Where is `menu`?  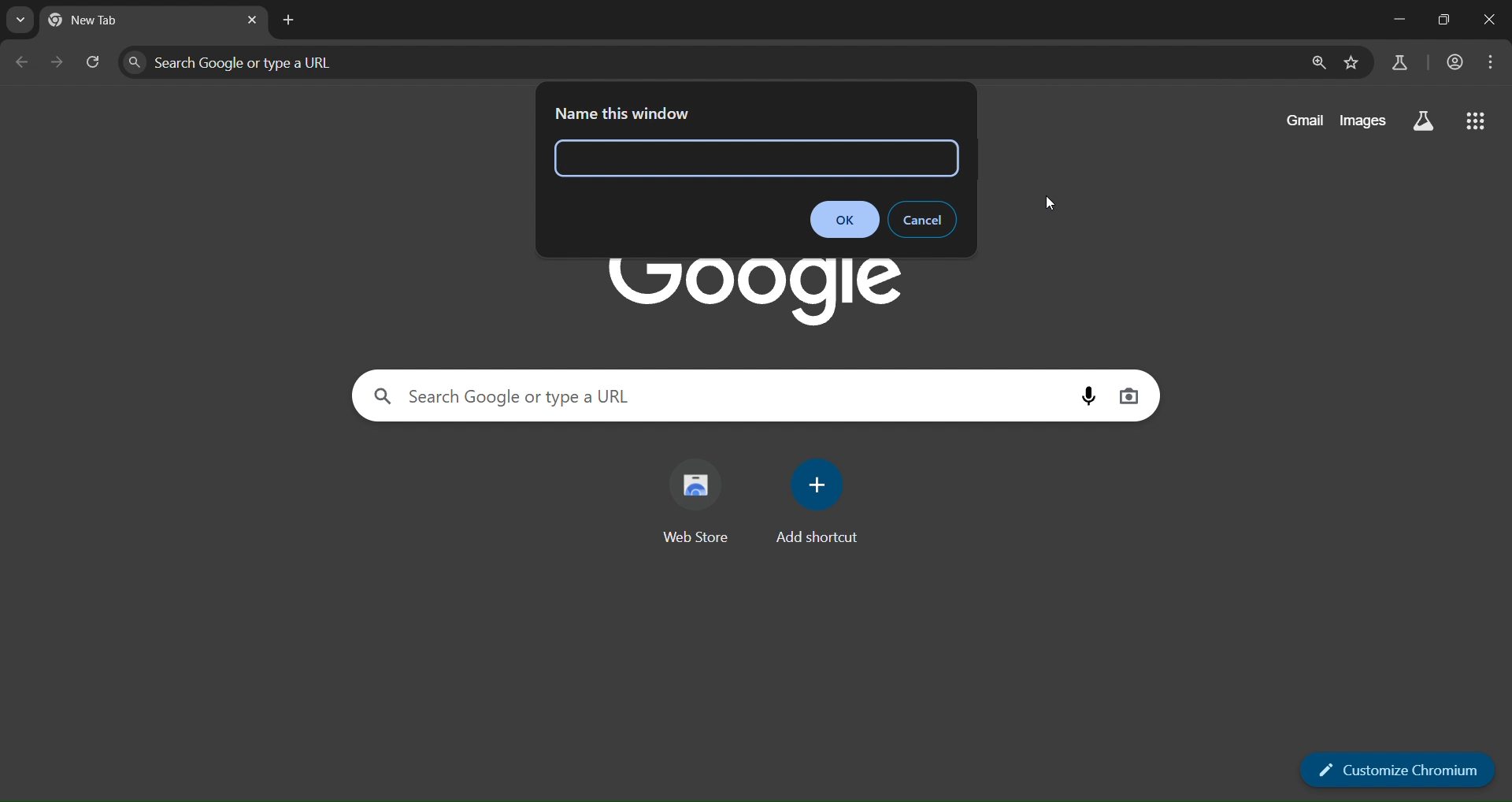
menu is located at coordinates (1494, 63).